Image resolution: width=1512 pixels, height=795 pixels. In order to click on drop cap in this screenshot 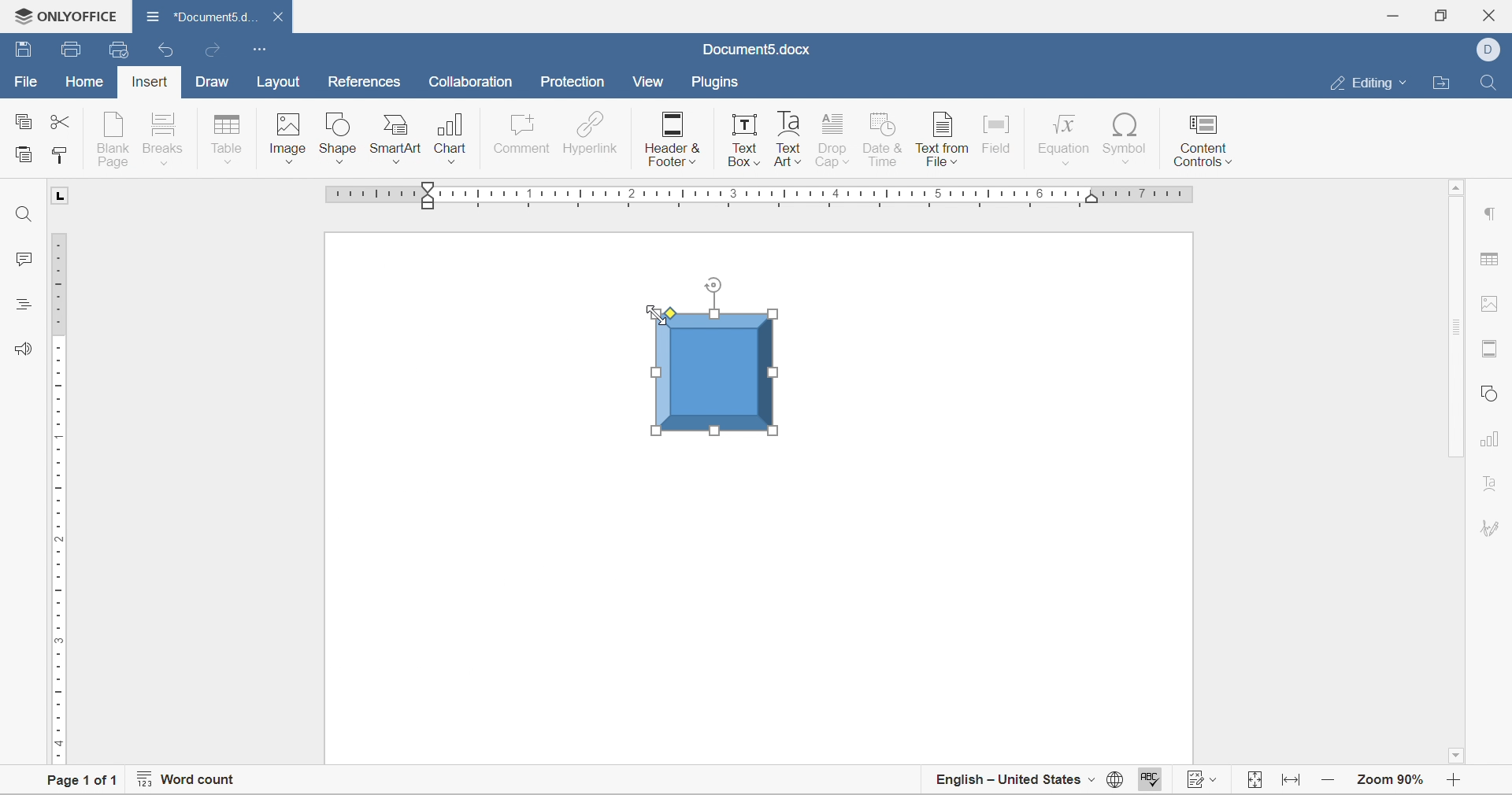, I will do `click(834, 141)`.